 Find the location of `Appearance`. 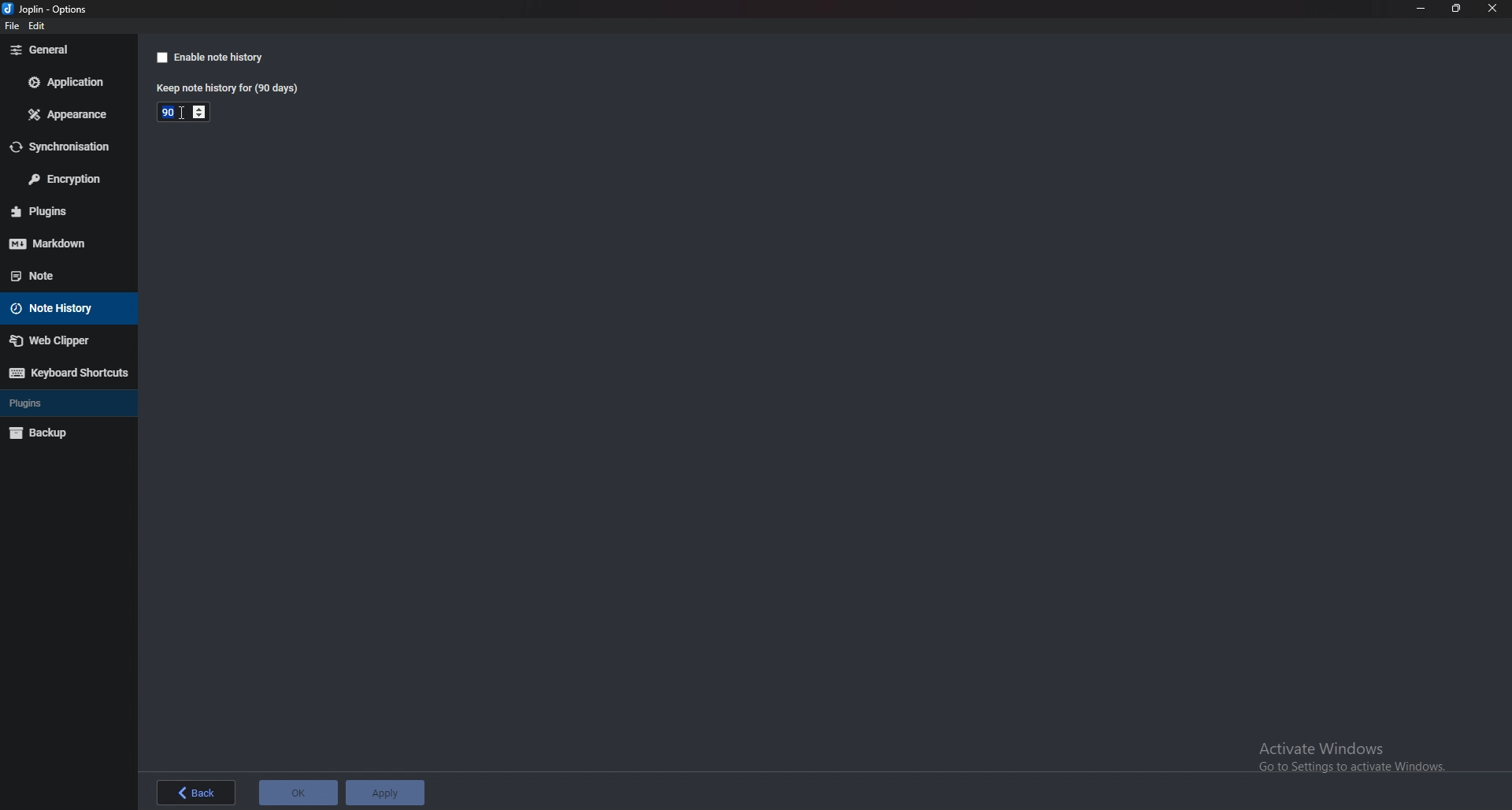

Appearance is located at coordinates (69, 115).